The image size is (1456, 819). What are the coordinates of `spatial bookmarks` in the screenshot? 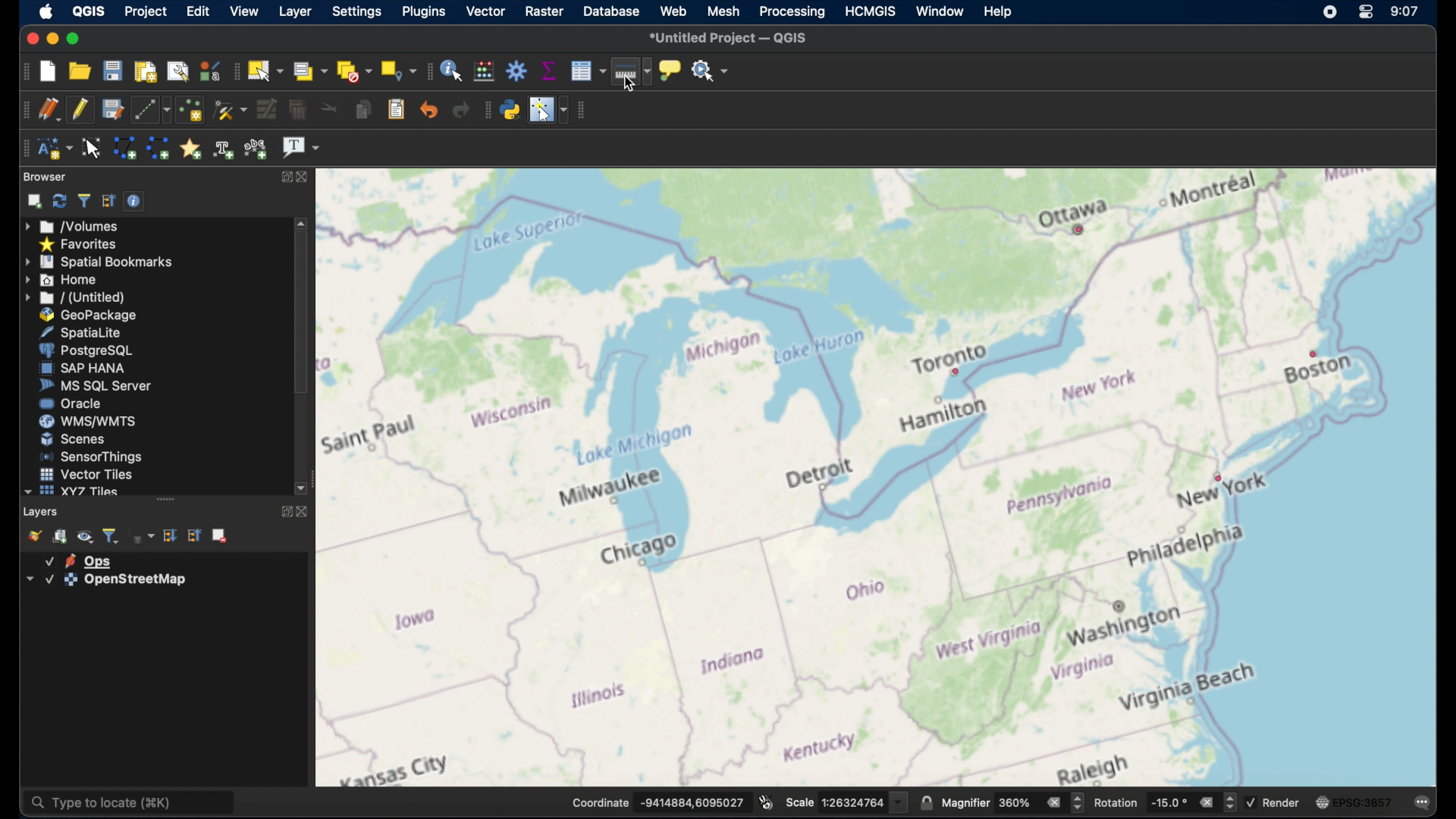 It's located at (99, 261).